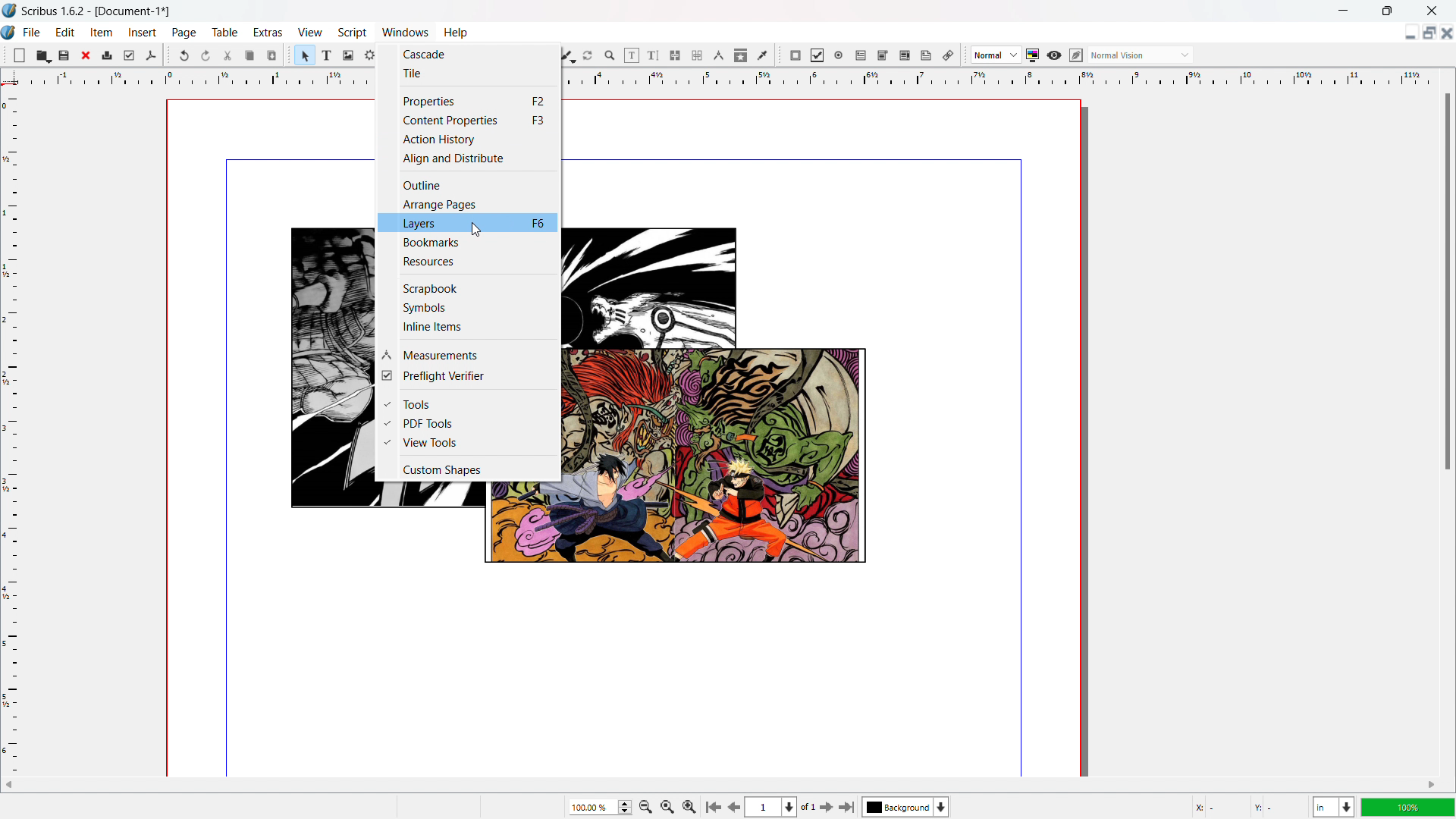 This screenshot has height=819, width=1456. What do you see at coordinates (1141, 55) in the screenshot?
I see `select the visyal appearance of the display` at bounding box center [1141, 55].